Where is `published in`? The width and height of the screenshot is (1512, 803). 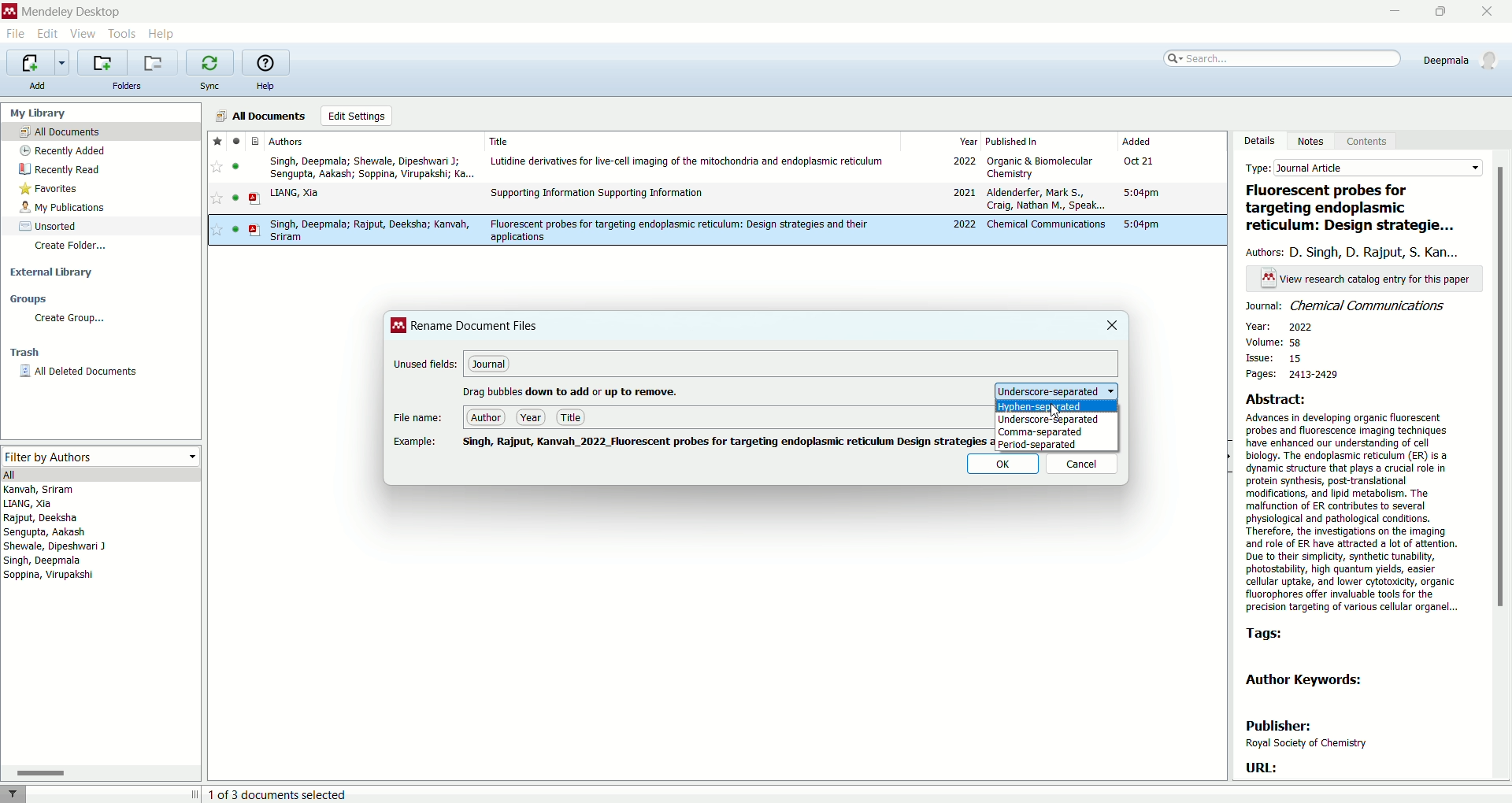
published in is located at coordinates (1048, 140).